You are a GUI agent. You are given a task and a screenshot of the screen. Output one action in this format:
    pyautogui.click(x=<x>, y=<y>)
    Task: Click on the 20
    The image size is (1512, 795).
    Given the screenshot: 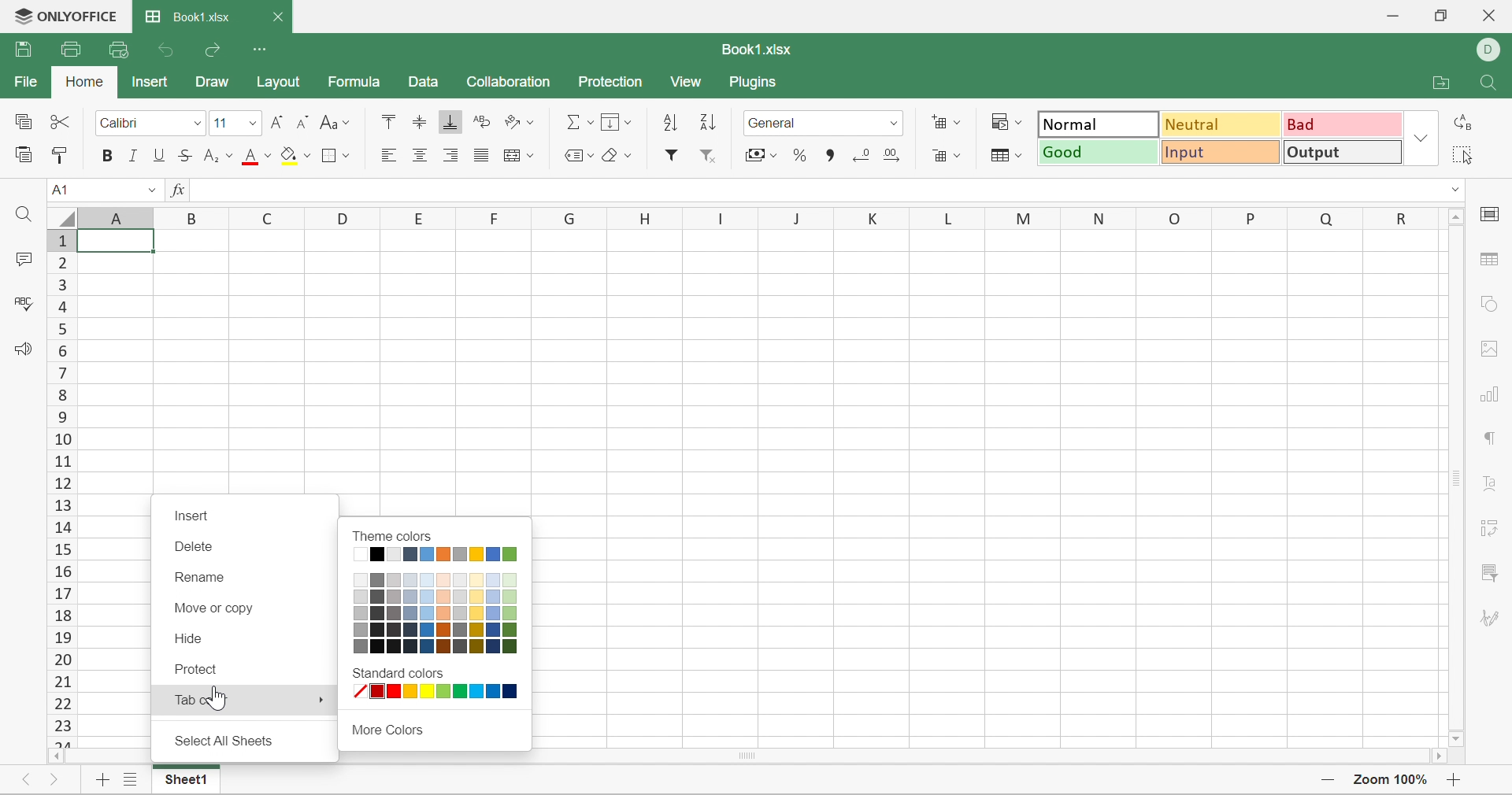 What is the action you would take?
    pyautogui.click(x=61, y=657)
    